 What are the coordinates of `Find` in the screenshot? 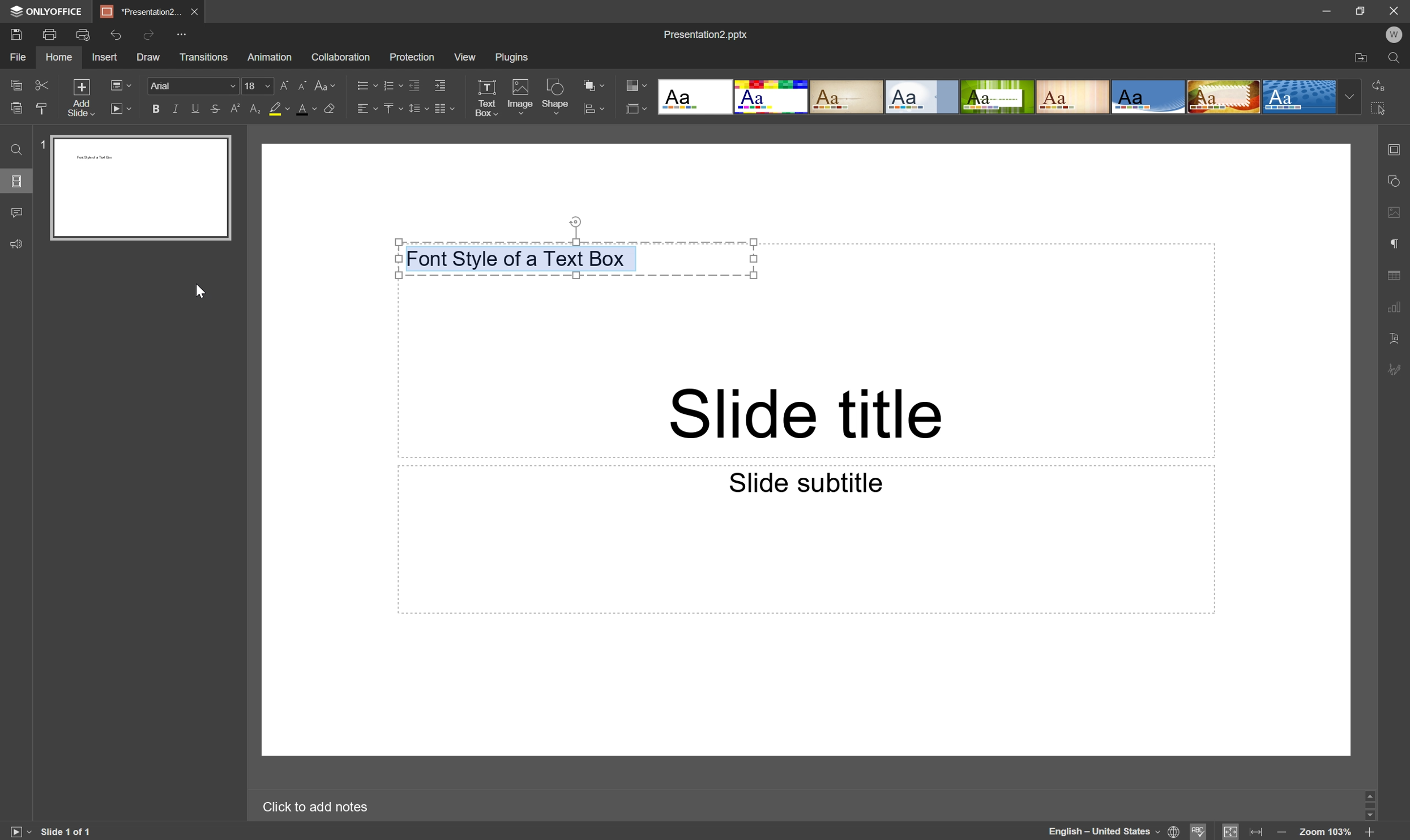 It's located at (17, 148).